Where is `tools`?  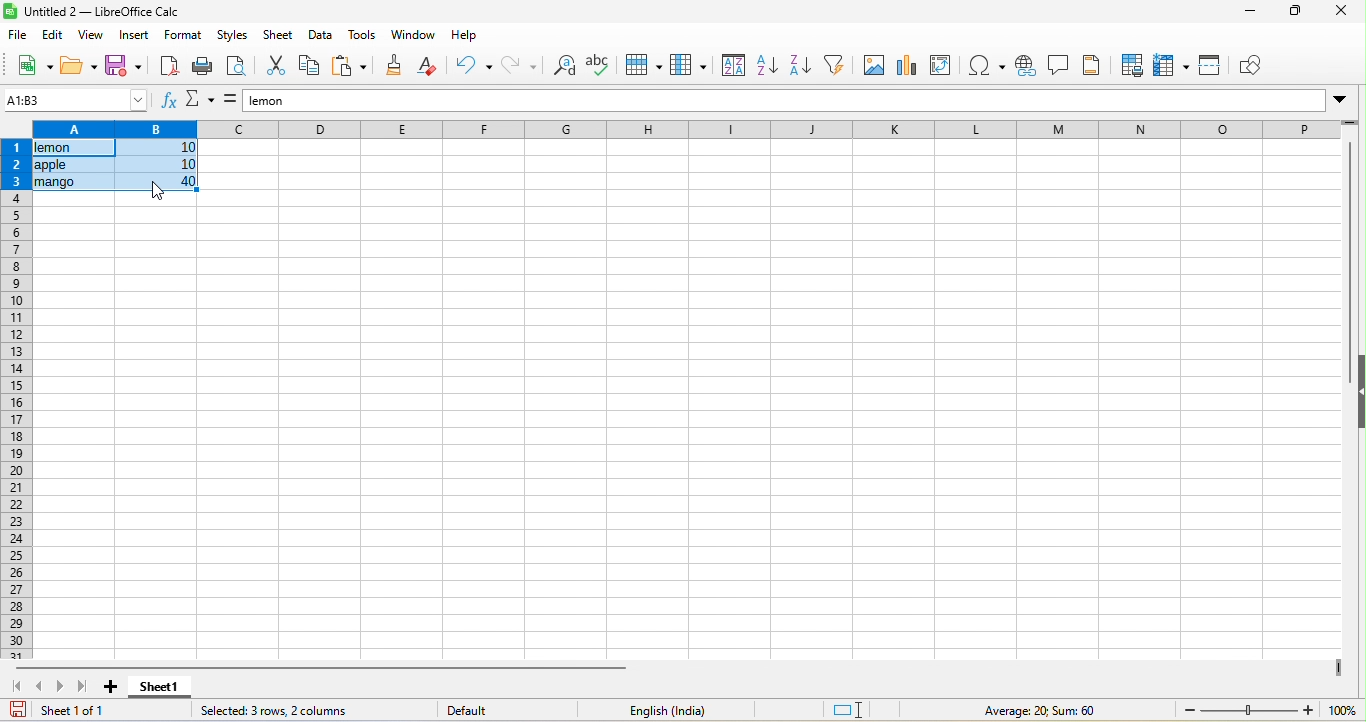 tools is located at coordinates (364, 34).